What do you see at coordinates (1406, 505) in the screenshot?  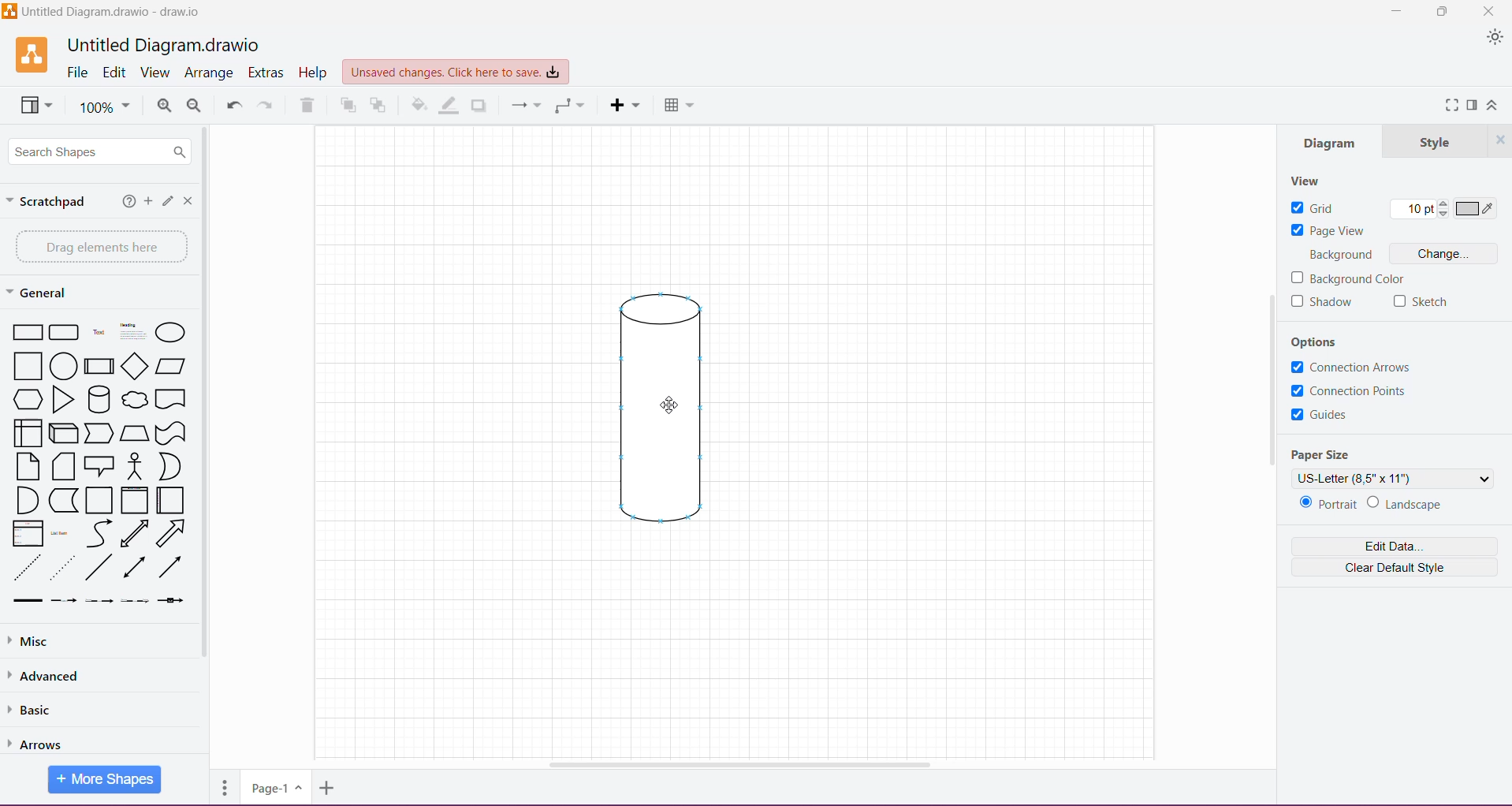 I see `Landscape` at bounding box center [1406, 505].